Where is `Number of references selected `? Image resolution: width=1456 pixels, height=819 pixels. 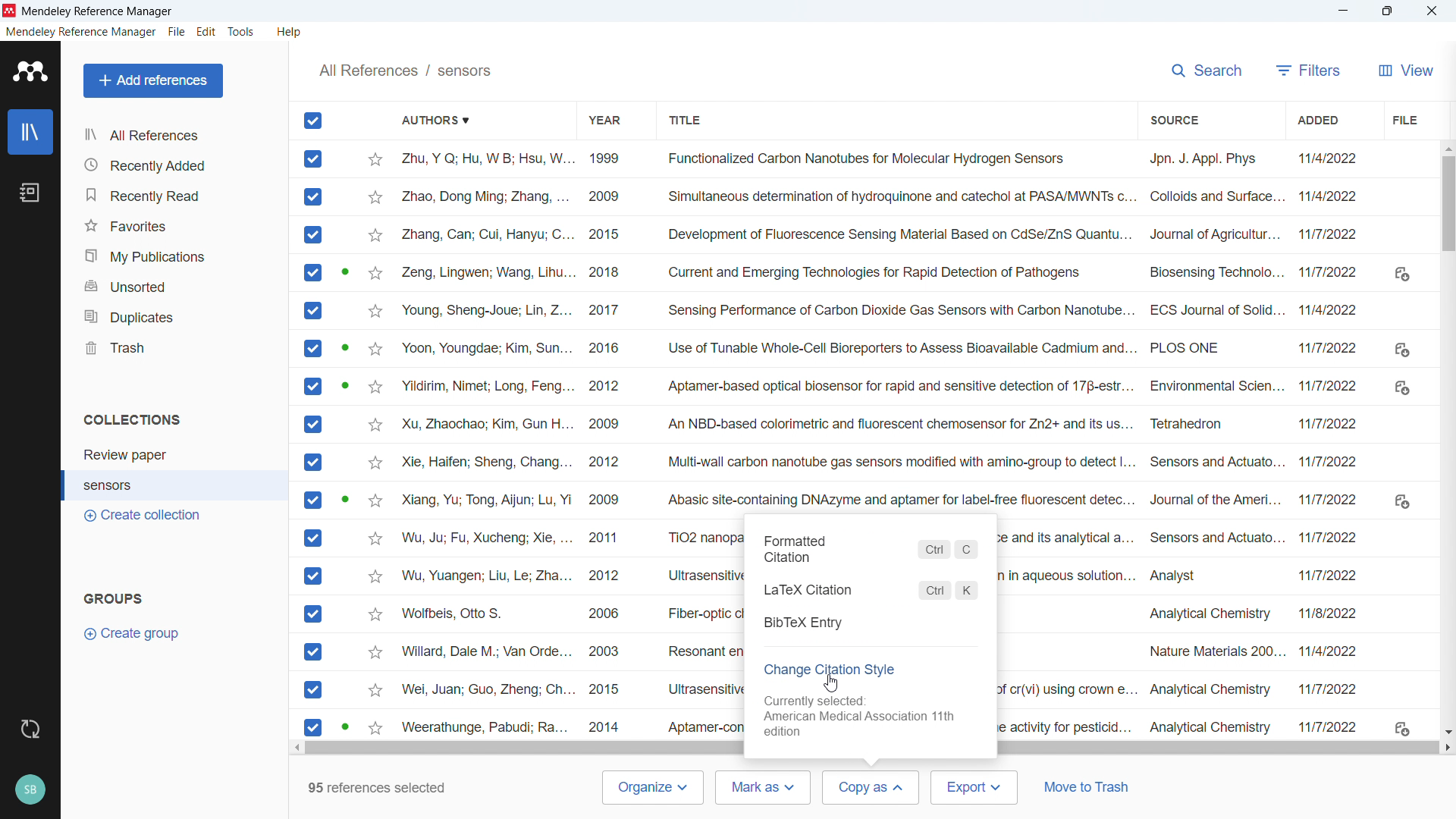 Number of references selected  is located at coordinates (378, 786).